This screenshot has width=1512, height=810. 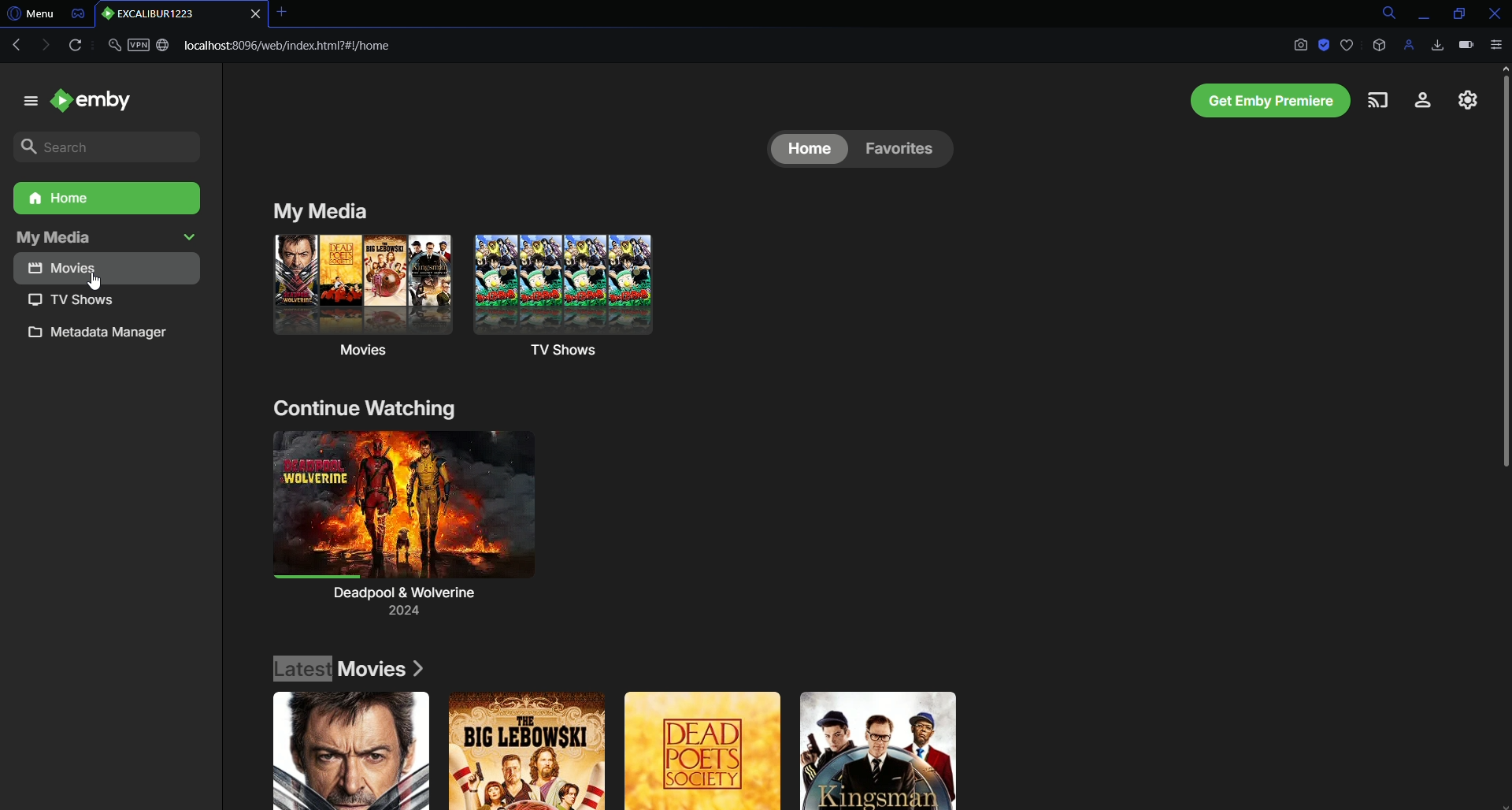 I want to click on Adblock, so click(x=1325, y=45).